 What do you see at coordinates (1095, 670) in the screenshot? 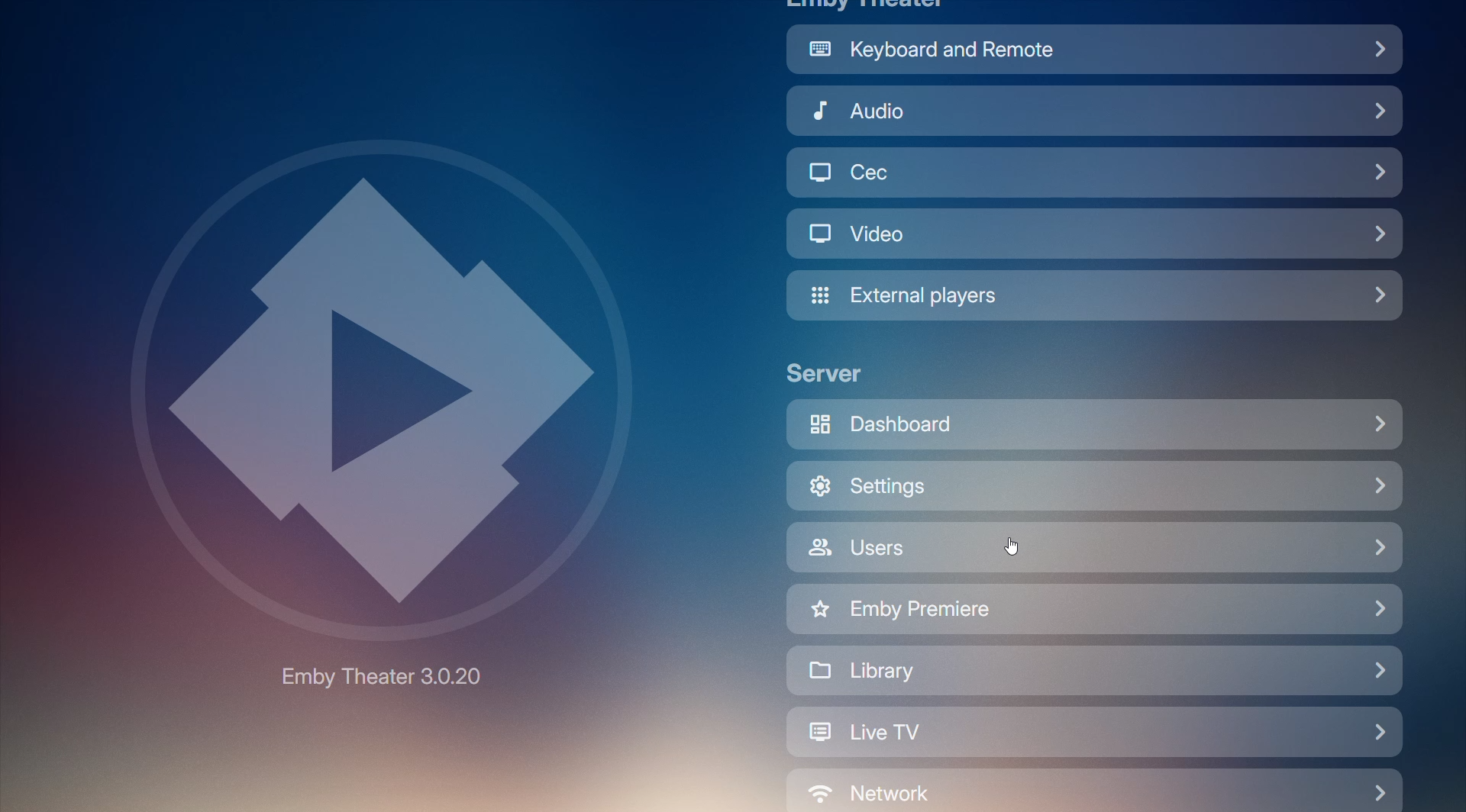
I see `Library` at bounding box center [1095, 670].